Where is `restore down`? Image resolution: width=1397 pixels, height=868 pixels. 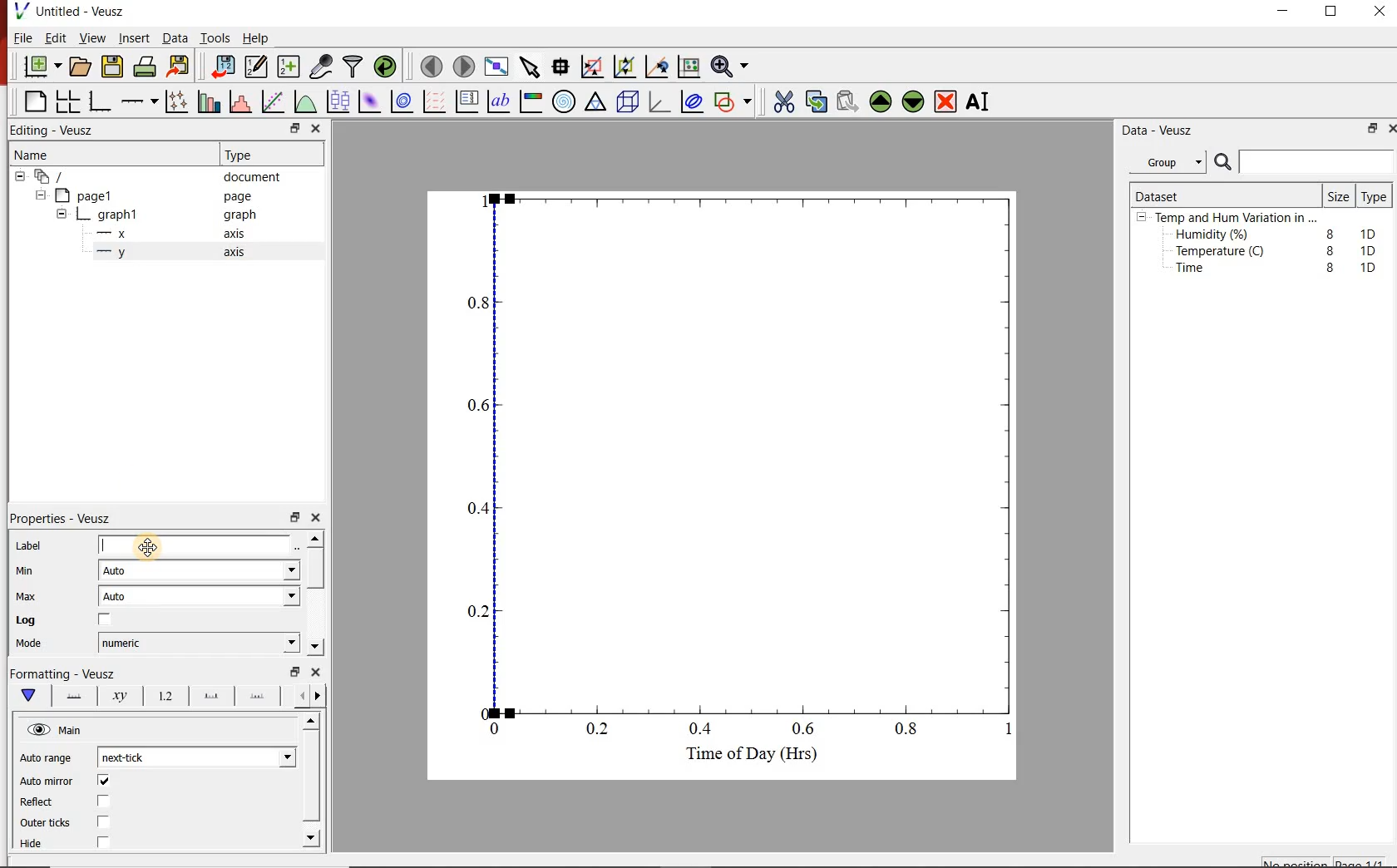
restore down is located at coordinates (1369, 131).